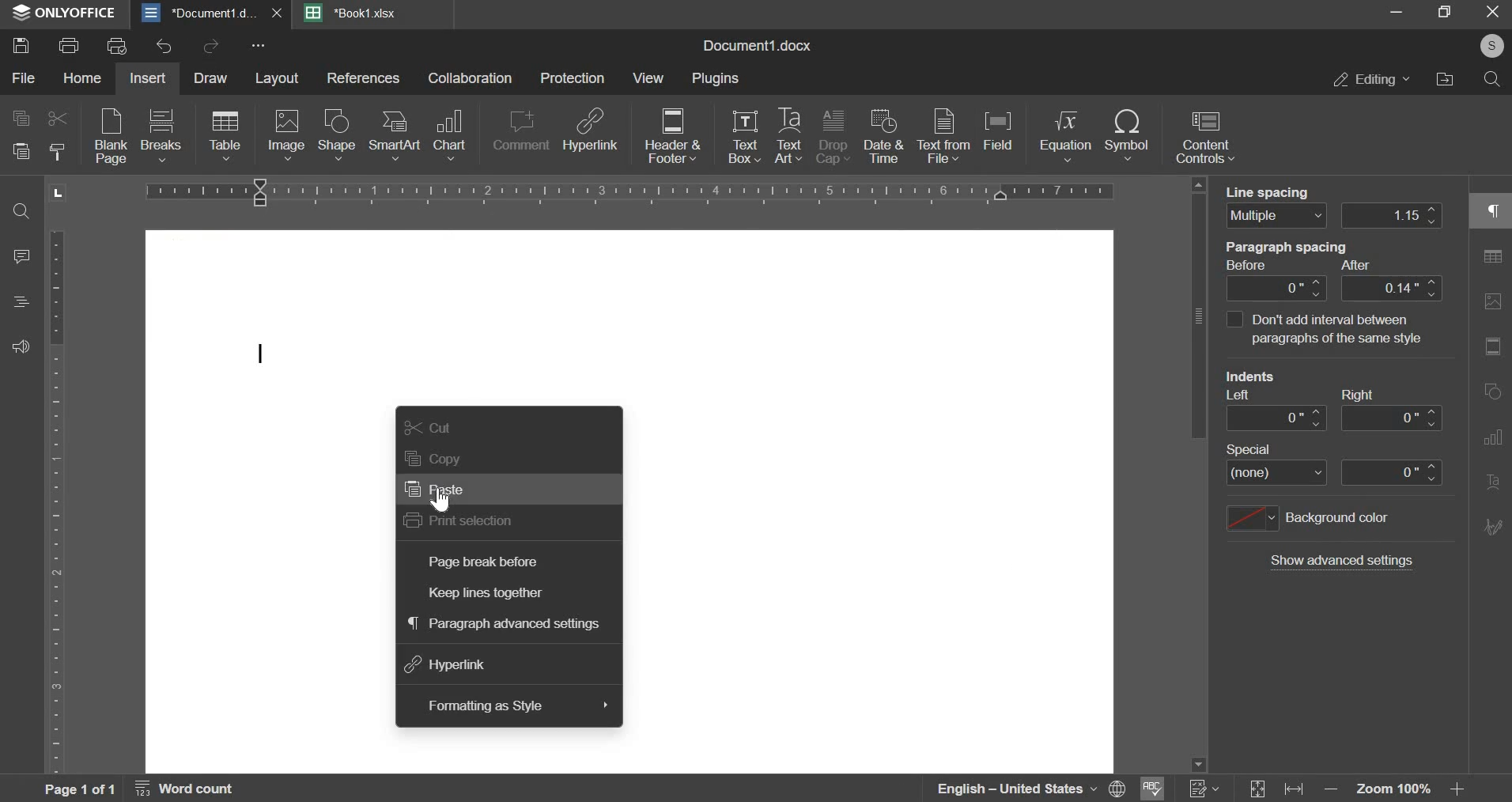 Image resolution: width=1512 pixels, height=802 pixels. I want to click on Shape tool, so click(1491, 301).